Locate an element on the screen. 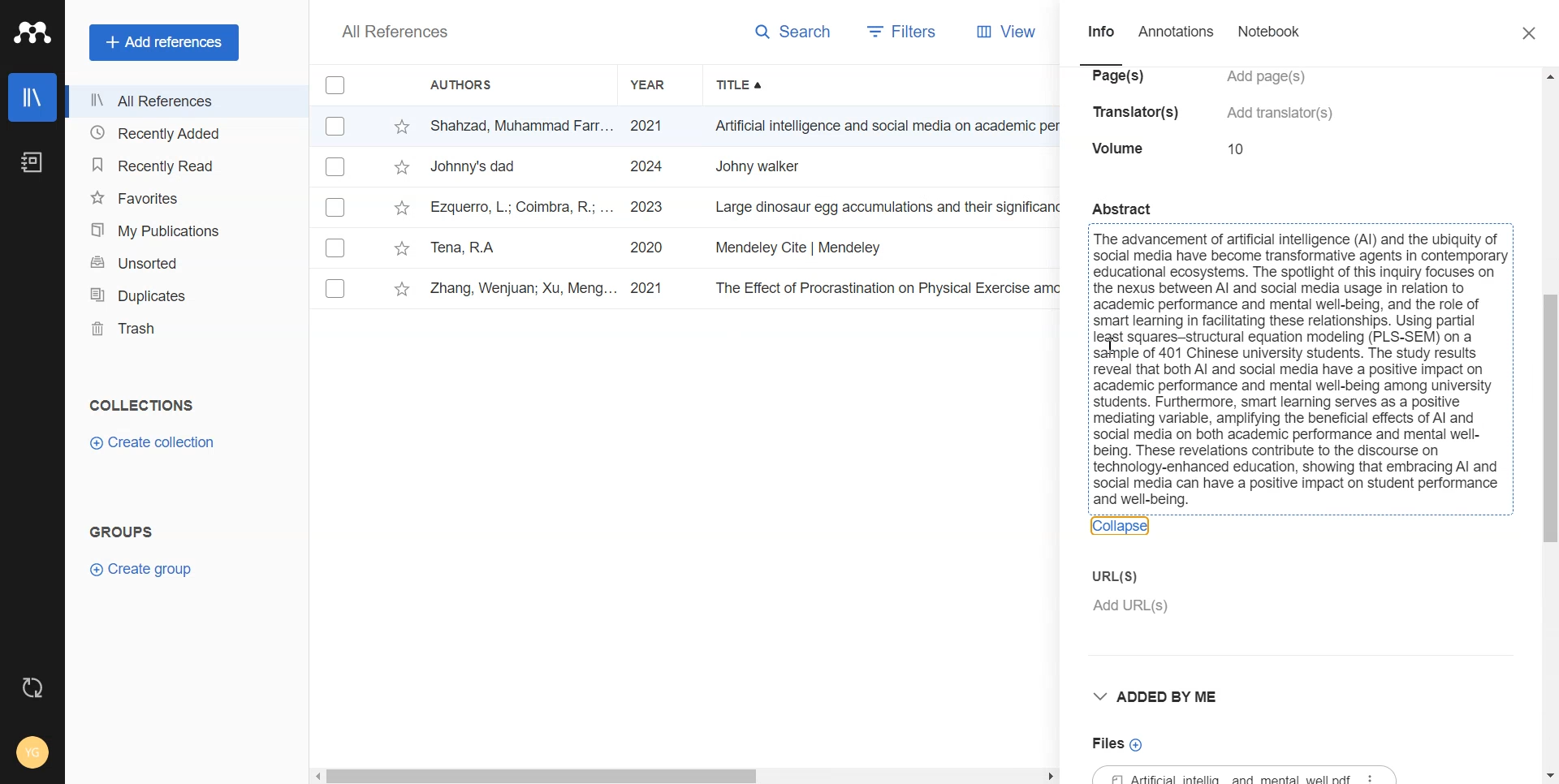 The width and height of the screenshot is (1559, 784). View is located at coordinates (1002, 33).